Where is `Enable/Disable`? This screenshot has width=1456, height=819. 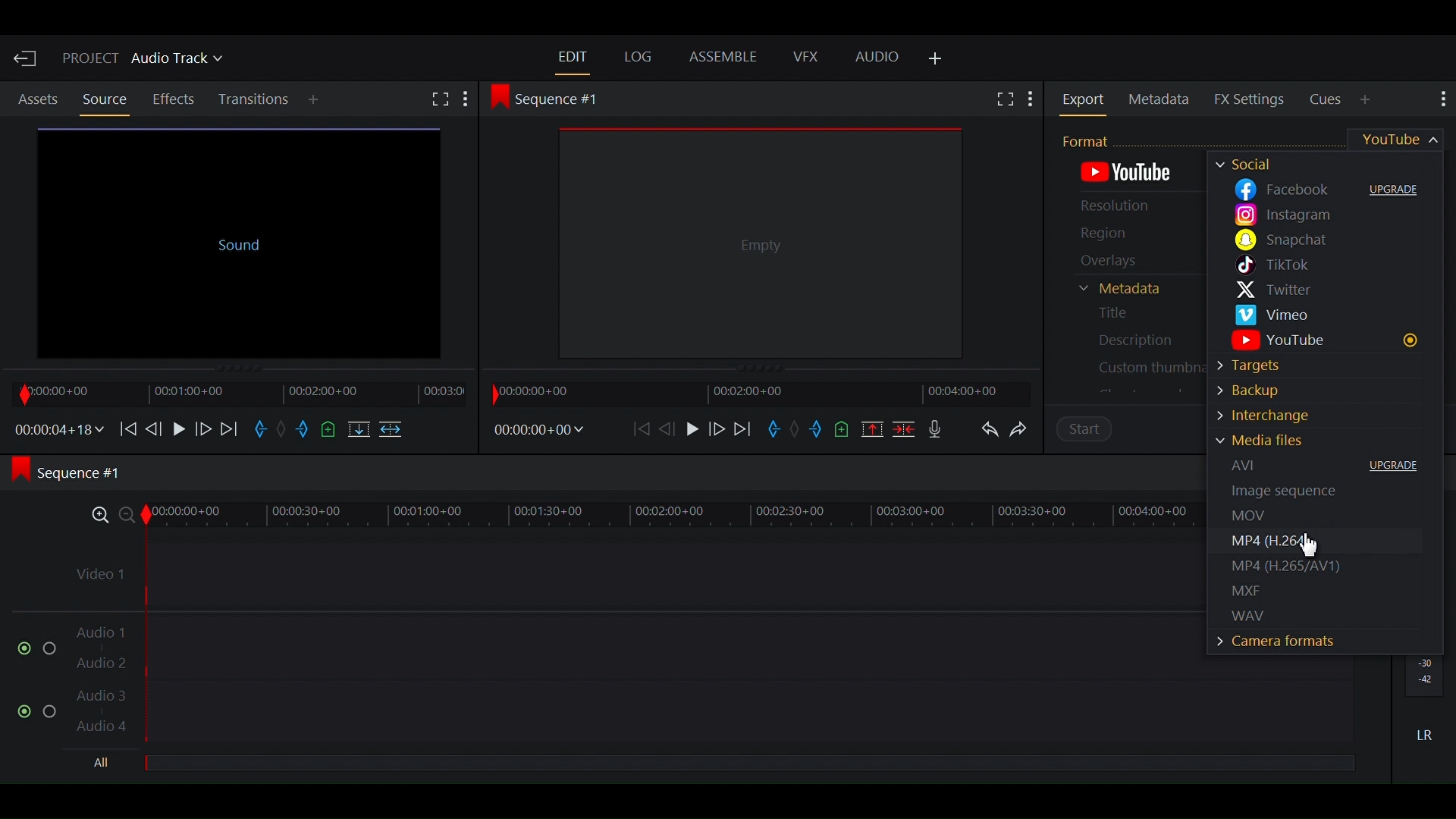 Enable/Disable is located at coordinates (30, 647).